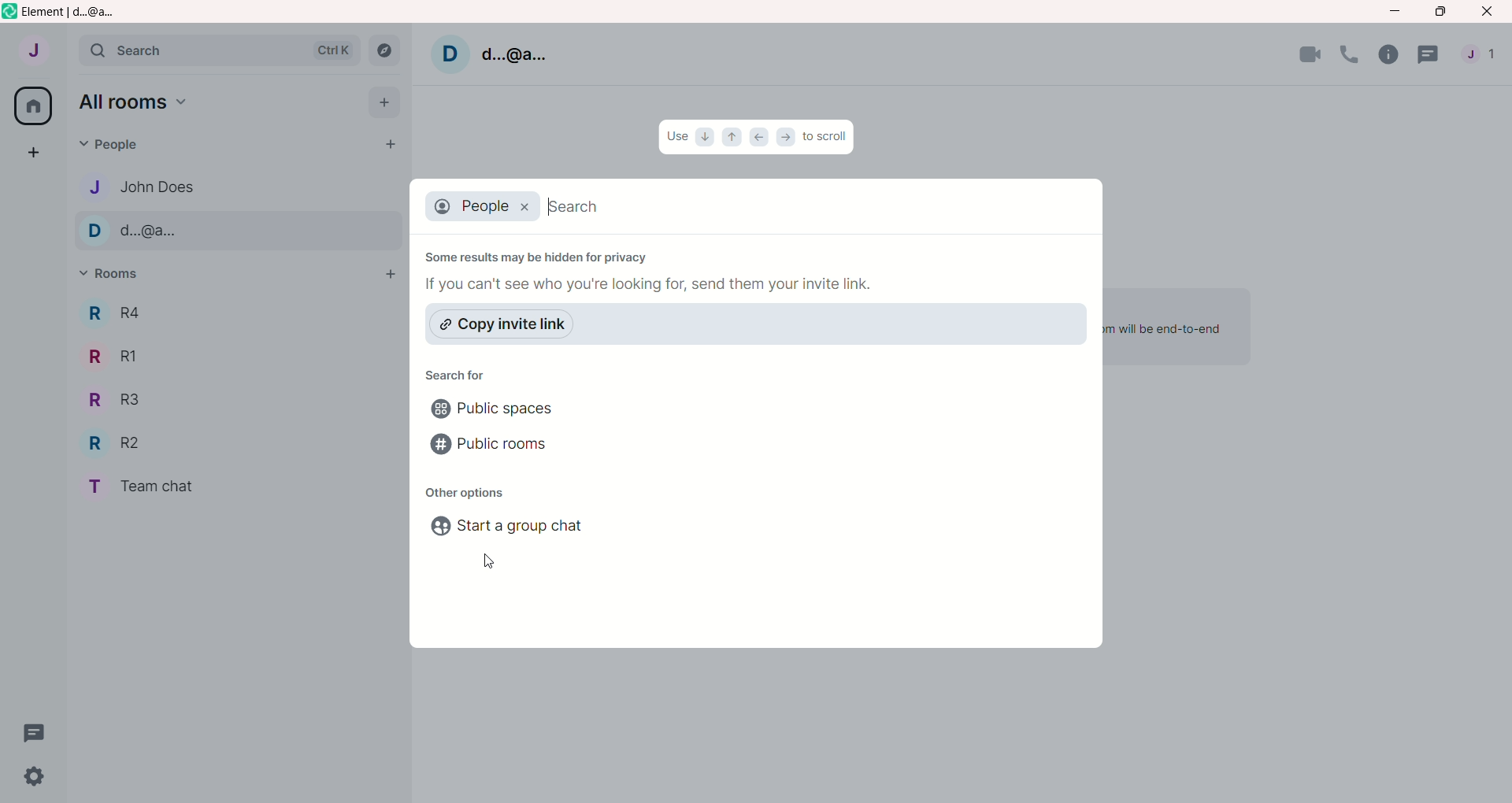 This screenshot has width=1512, height=803. I want to click on right arrow icon, so click(788, 136).